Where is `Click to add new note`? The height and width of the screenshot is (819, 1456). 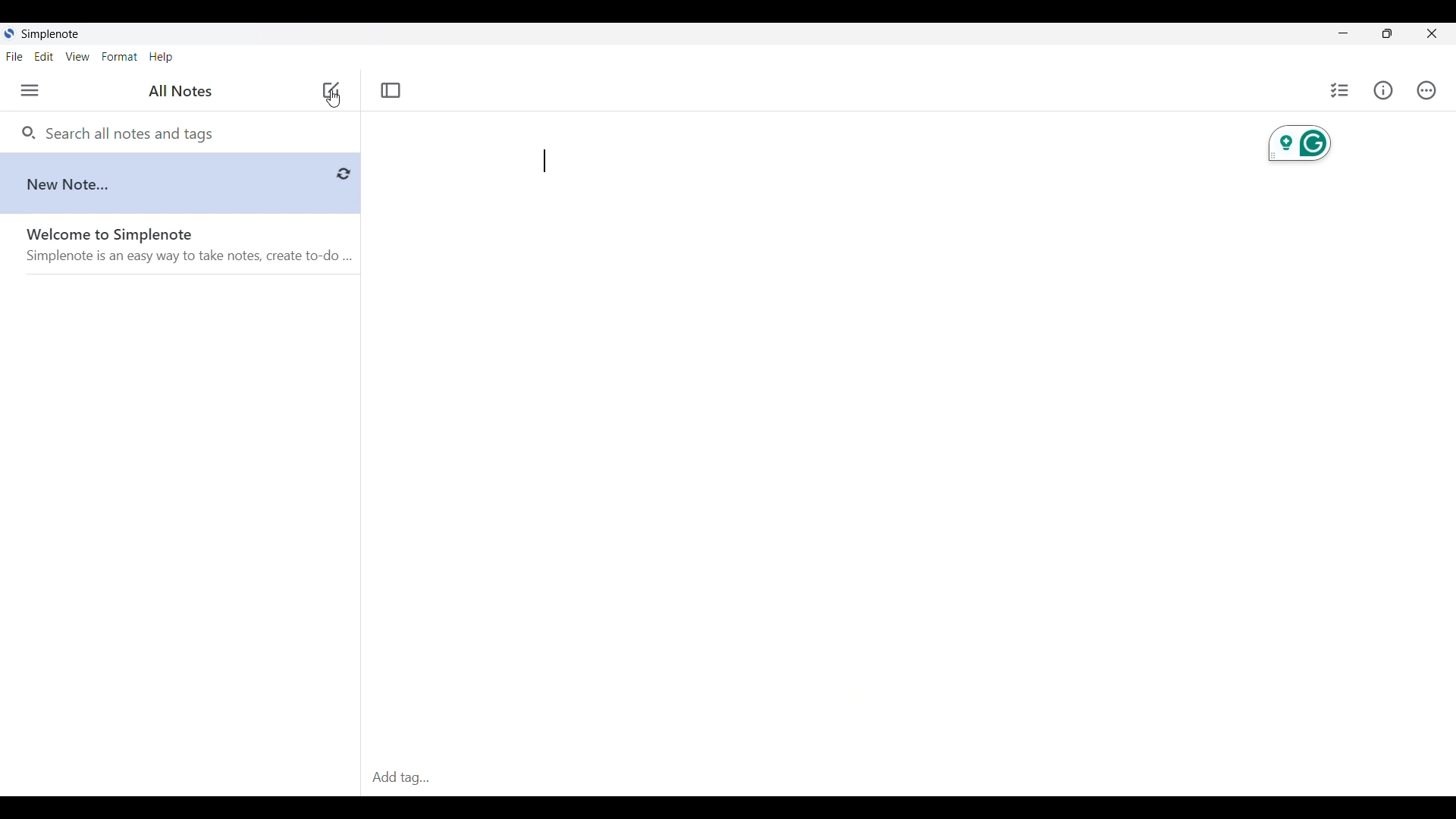 Click to add new note is located at coordinates (331, 89).